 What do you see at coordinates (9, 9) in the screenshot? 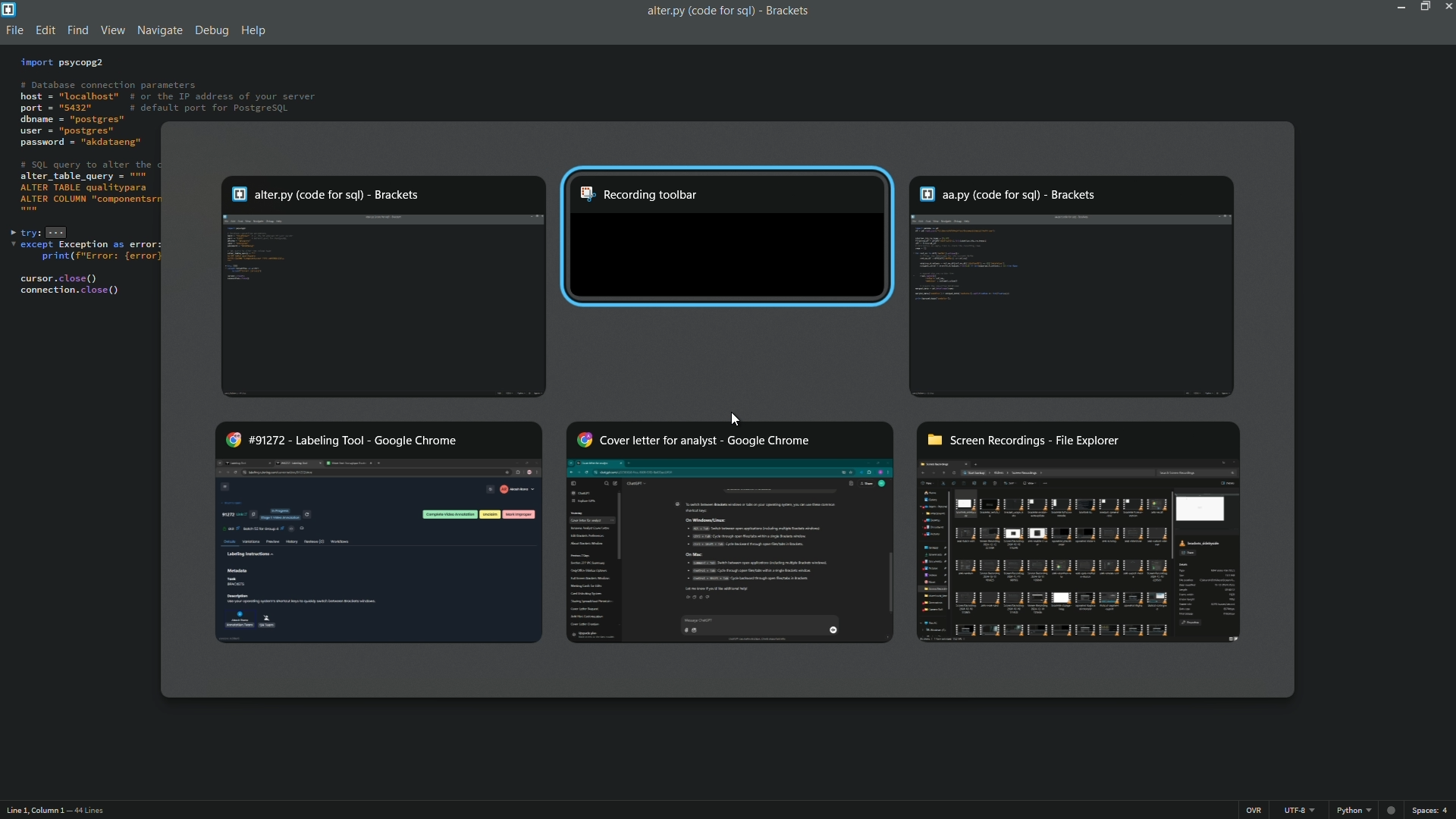
I see `app icon` at bounding box center [9, 9].